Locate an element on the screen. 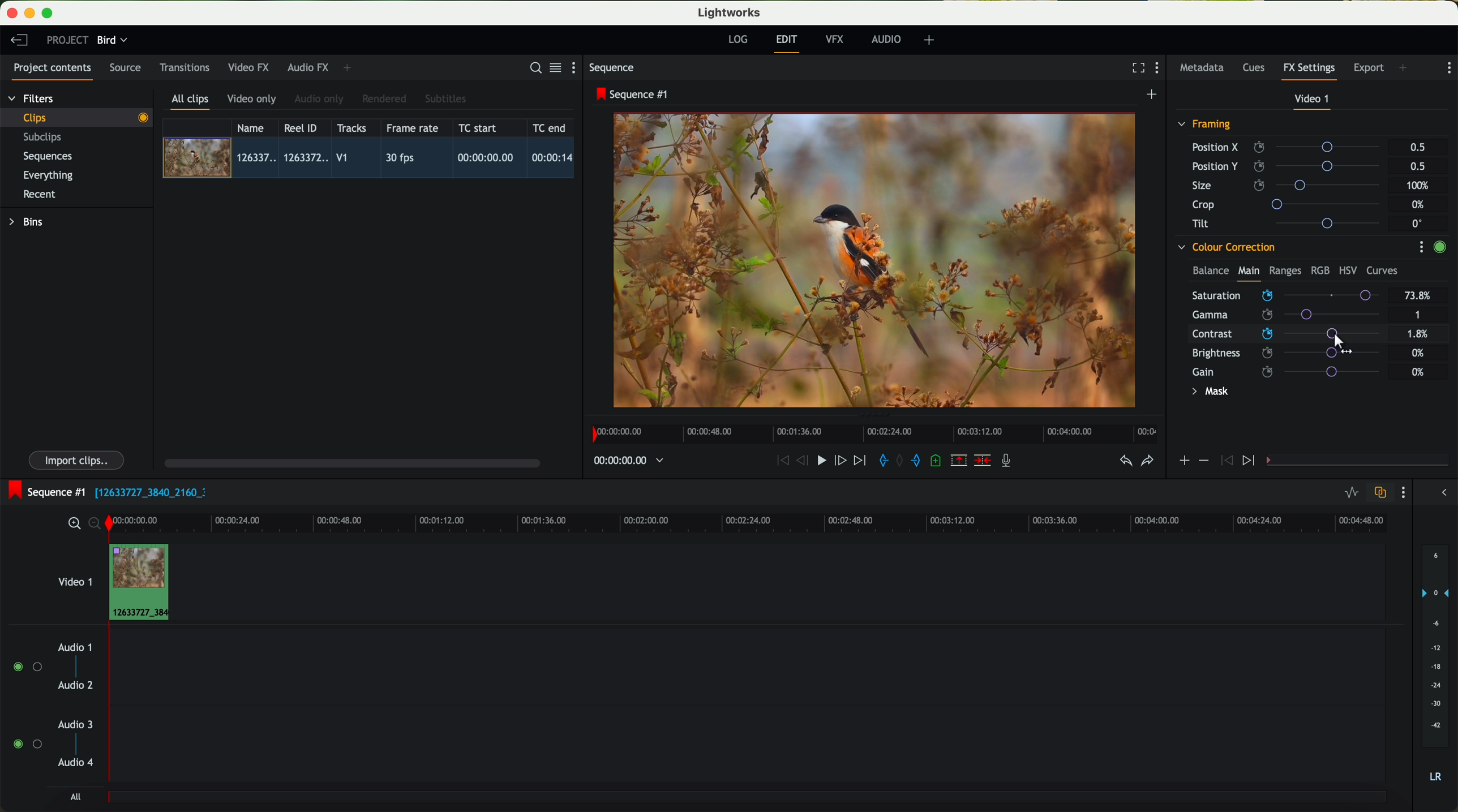 Image resolution: width=1458 pixels, height=812 pixels. show settings menu is located at coordinates (1448, 68).